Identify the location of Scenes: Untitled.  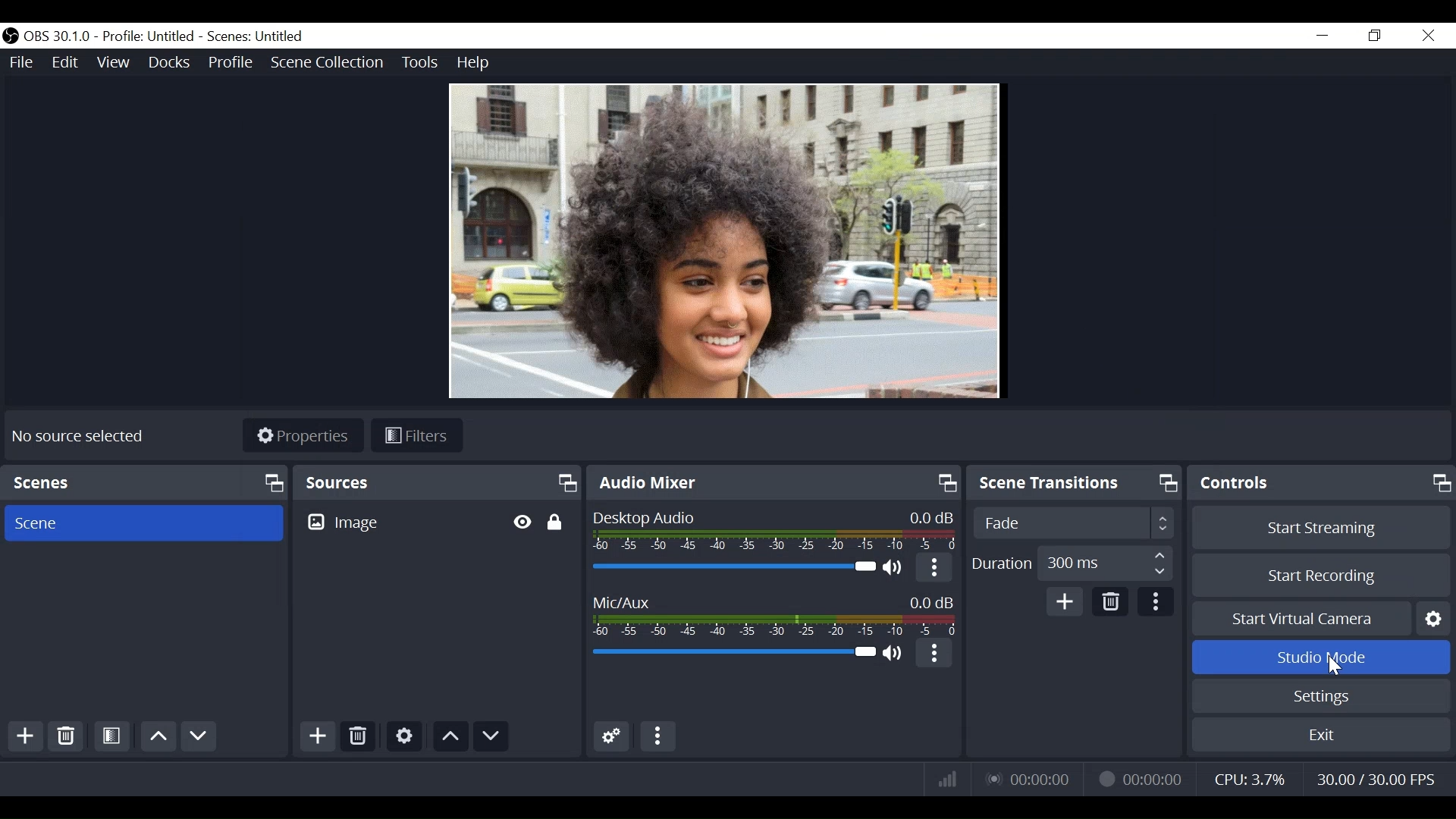
(256, 36).